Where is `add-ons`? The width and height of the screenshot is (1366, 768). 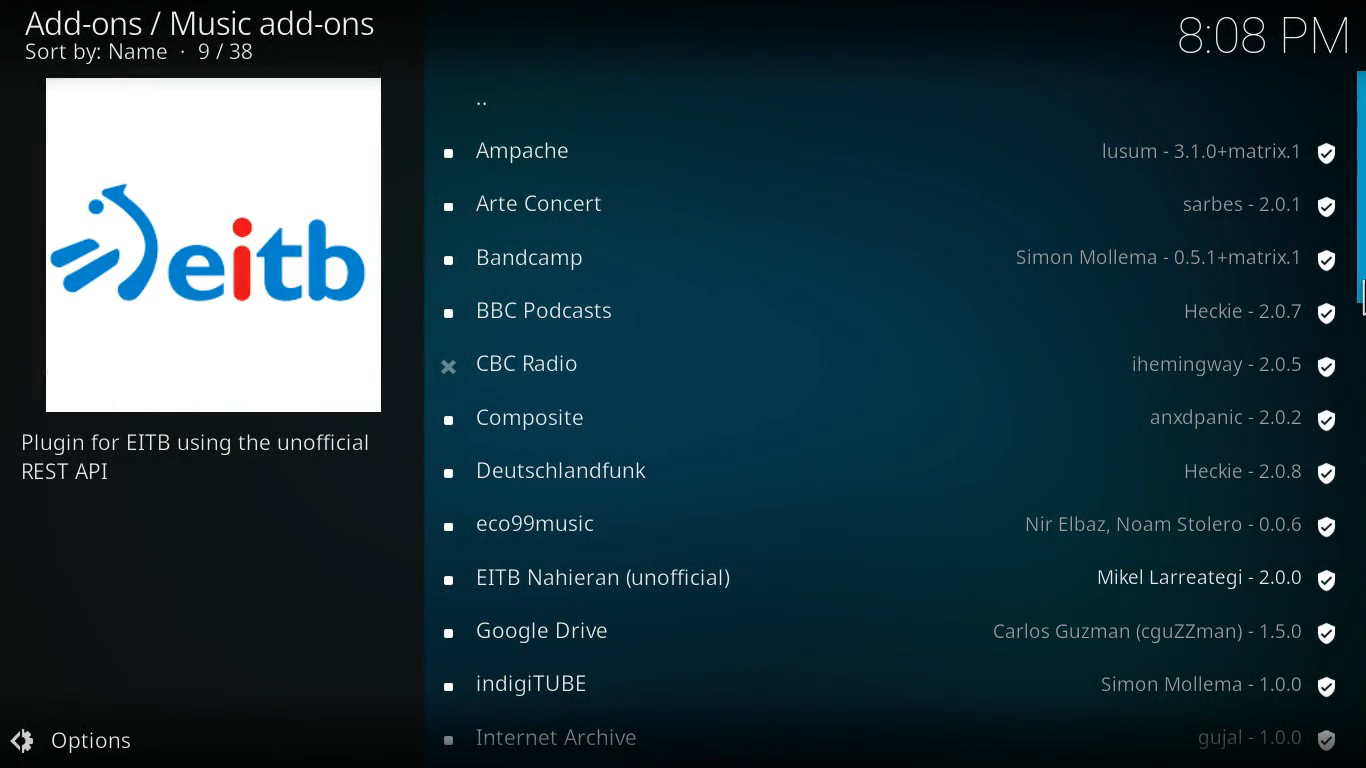
add-ons is located at coordinates (565, 473).